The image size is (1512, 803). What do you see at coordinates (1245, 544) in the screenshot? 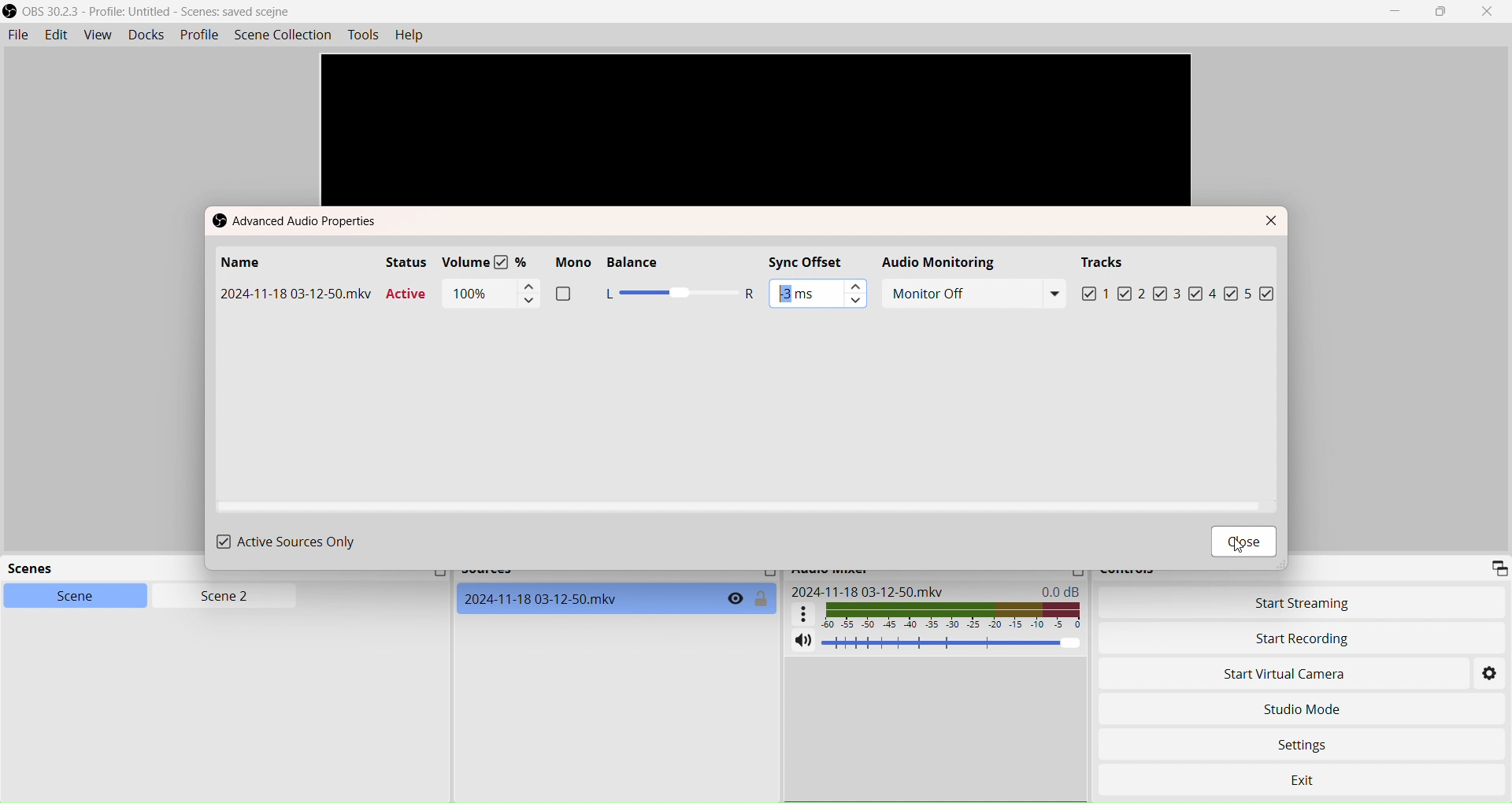
I see `Close` at bounding box center [1245, 544].